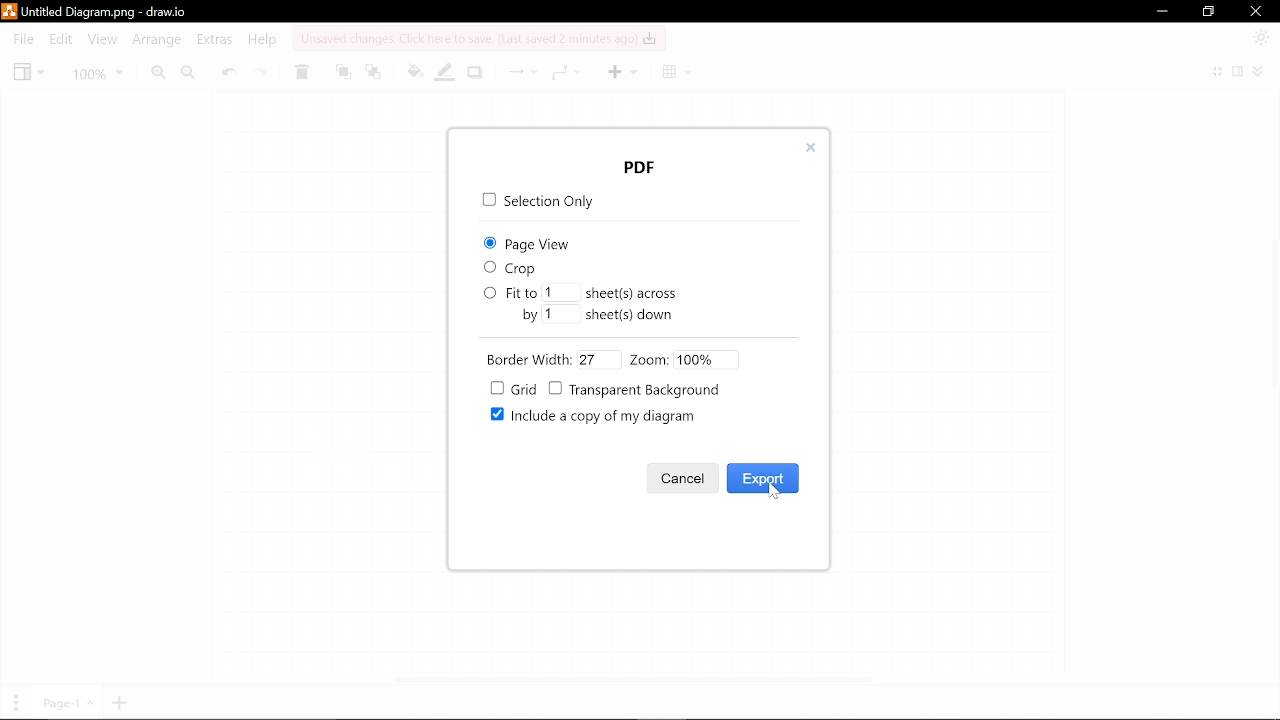 Image resolution: width=1280 pixels, height=720 pixels. What do you see at coordinates (683, 358) in the screenshot?
I see `Zoom` at bounding box center [683, 358].